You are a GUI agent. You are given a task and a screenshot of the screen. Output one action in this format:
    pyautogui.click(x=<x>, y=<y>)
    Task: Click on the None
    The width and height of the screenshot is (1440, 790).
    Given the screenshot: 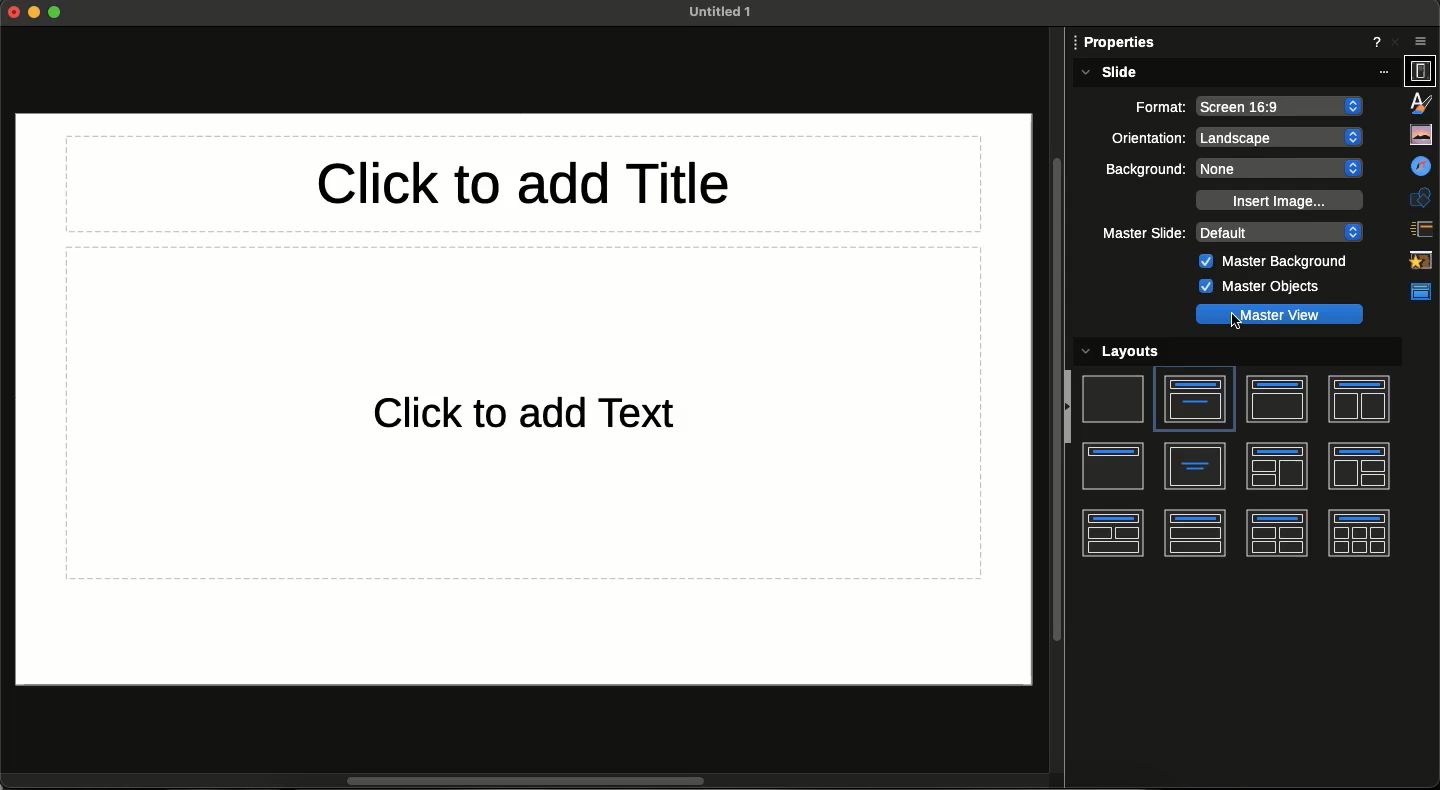 What is the action you would take?
    pyautogui.click(x=1282, y=168)
    